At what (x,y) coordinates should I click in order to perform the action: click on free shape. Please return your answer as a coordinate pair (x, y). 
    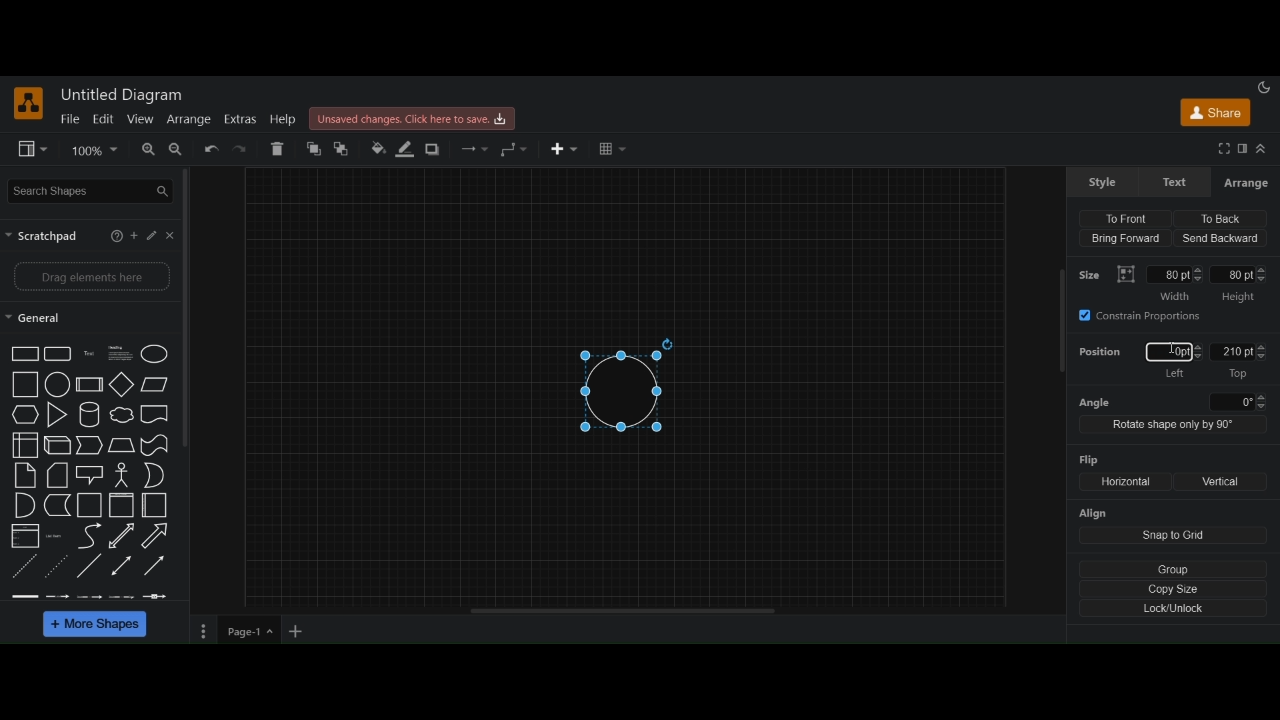
    Looking at the image, I should click on (58, 506).